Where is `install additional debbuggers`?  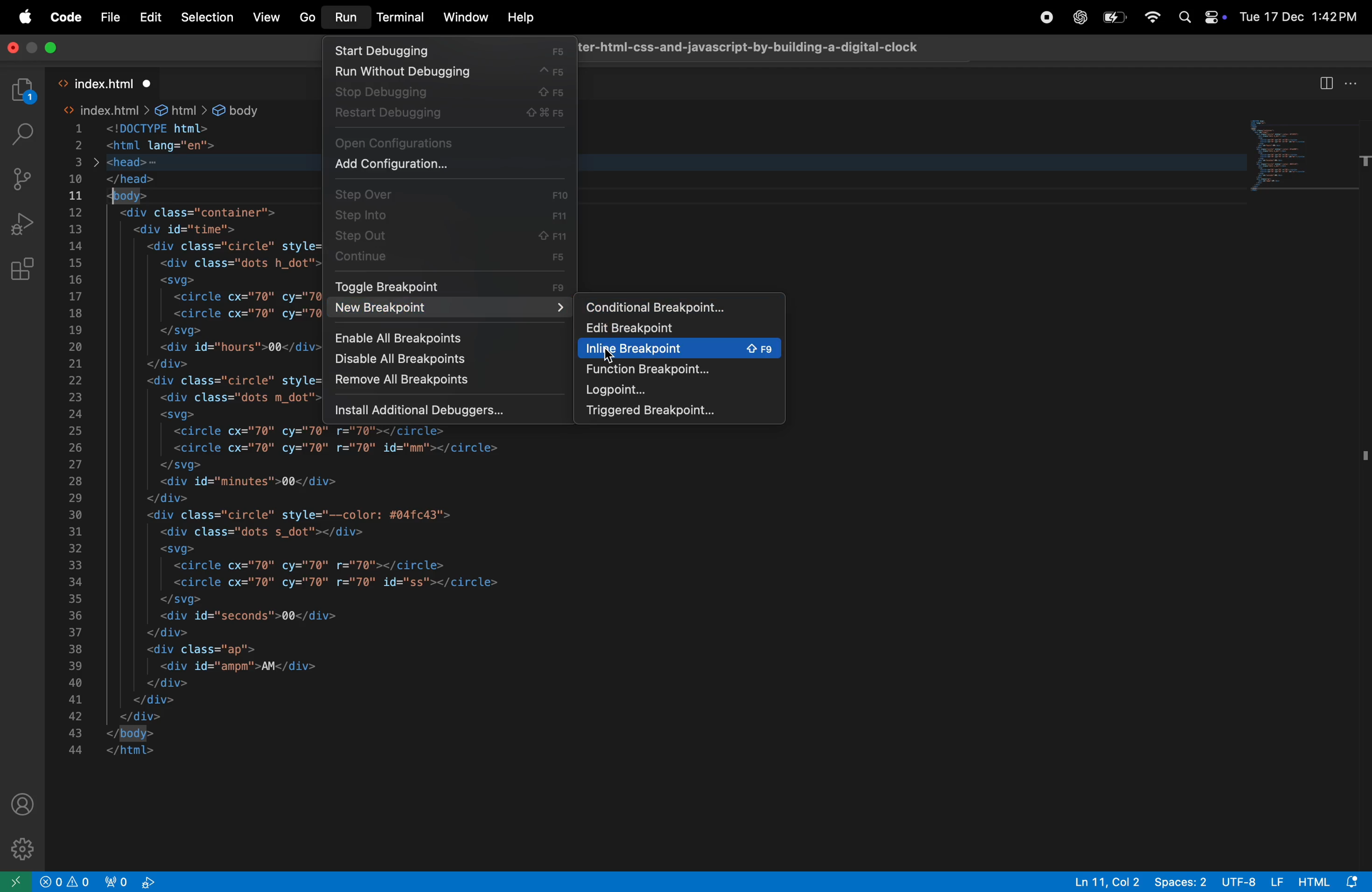
install additional debbuggers is located at coordinates (453, 409).